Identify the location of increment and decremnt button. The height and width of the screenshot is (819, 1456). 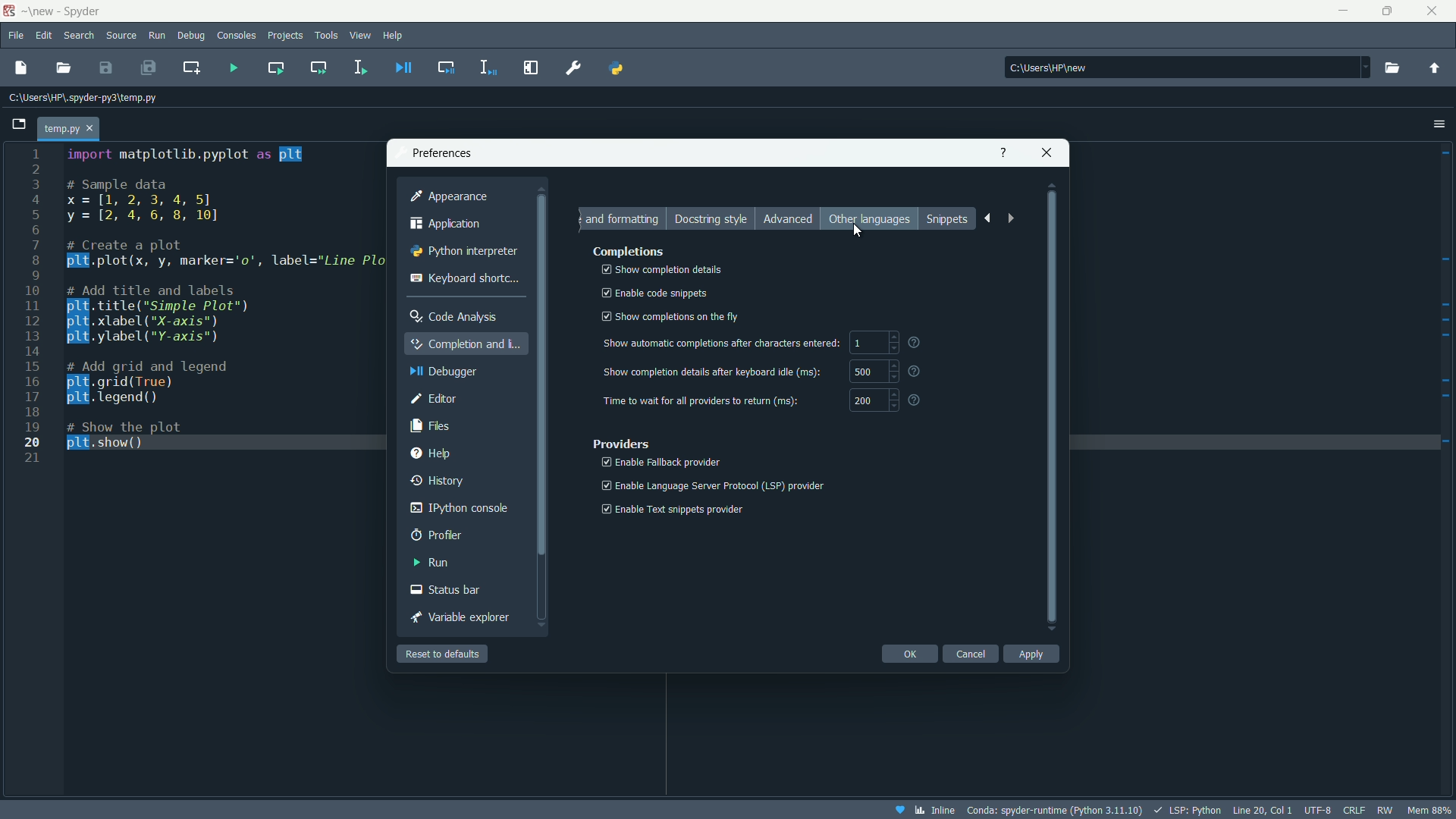
(892, 343).